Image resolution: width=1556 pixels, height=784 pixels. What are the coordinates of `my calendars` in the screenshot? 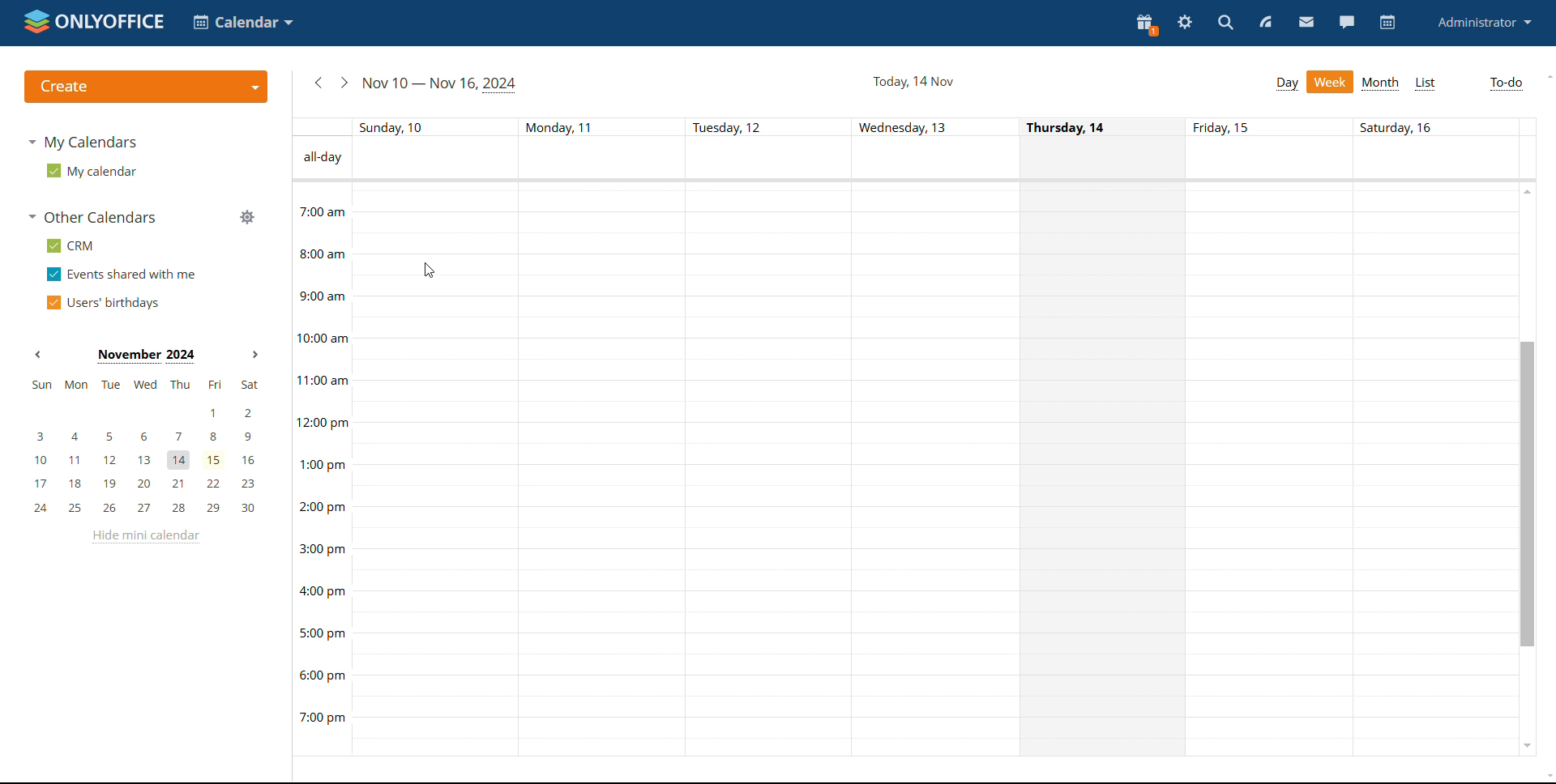 It's located at (83, 141).